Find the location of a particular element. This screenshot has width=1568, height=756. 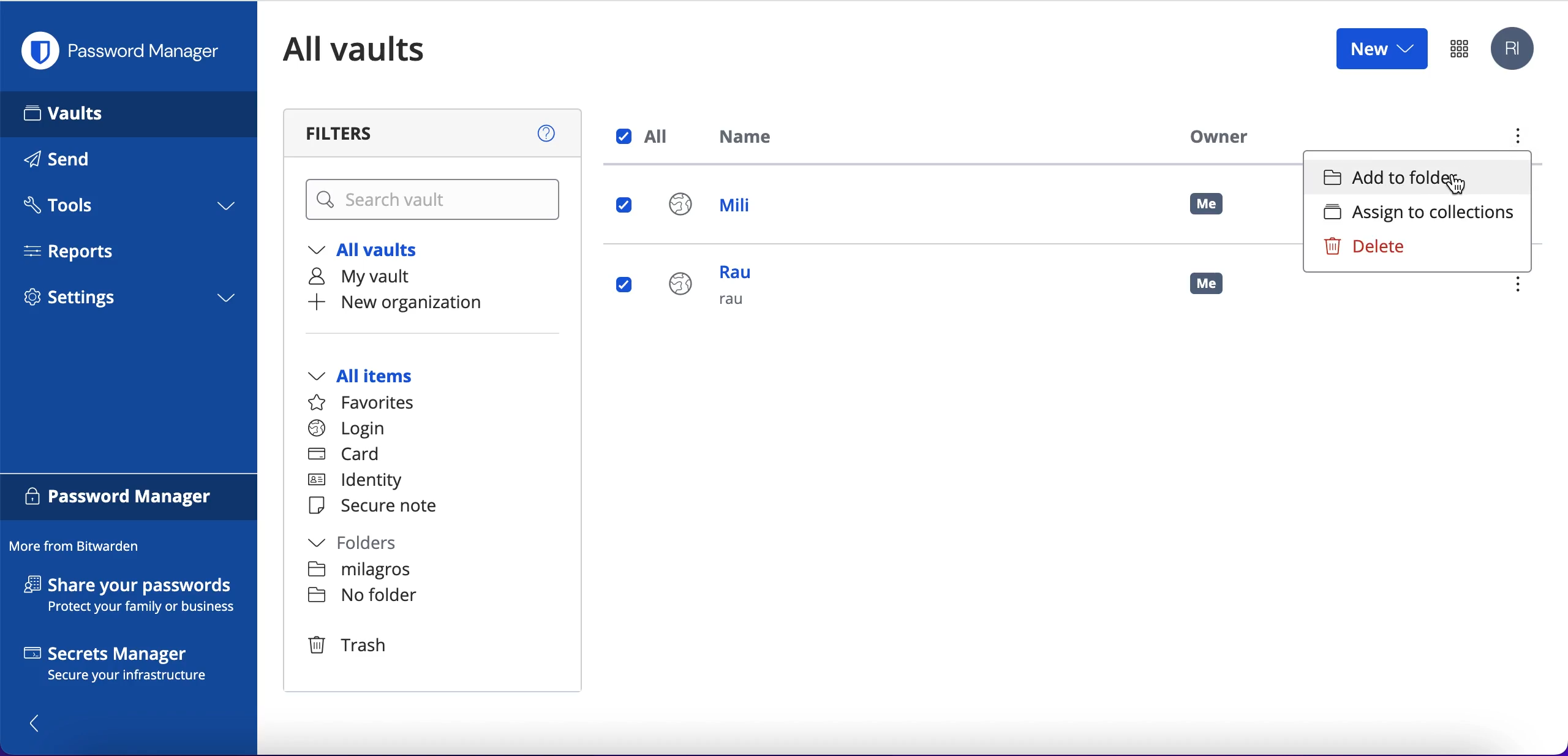

all is located at coordinates (646, 137).